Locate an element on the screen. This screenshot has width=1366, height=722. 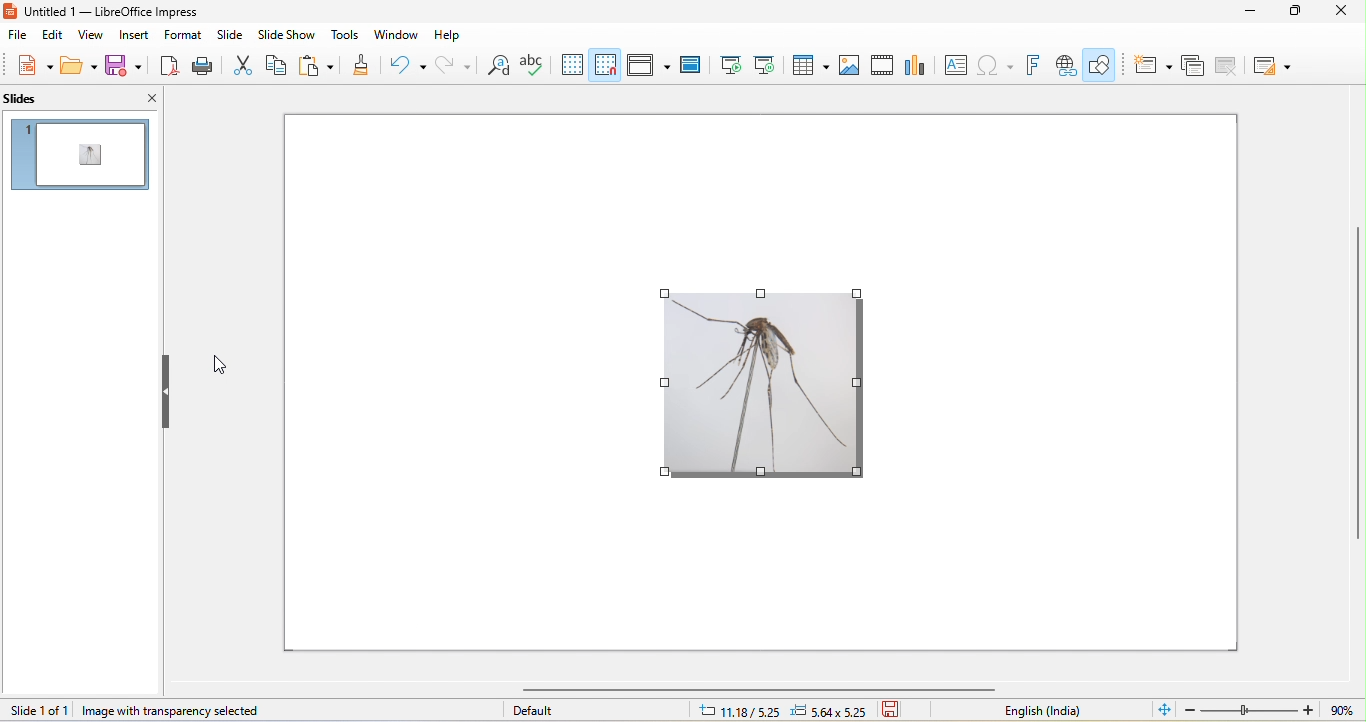
zoom is located at coordinates (1274, 709).